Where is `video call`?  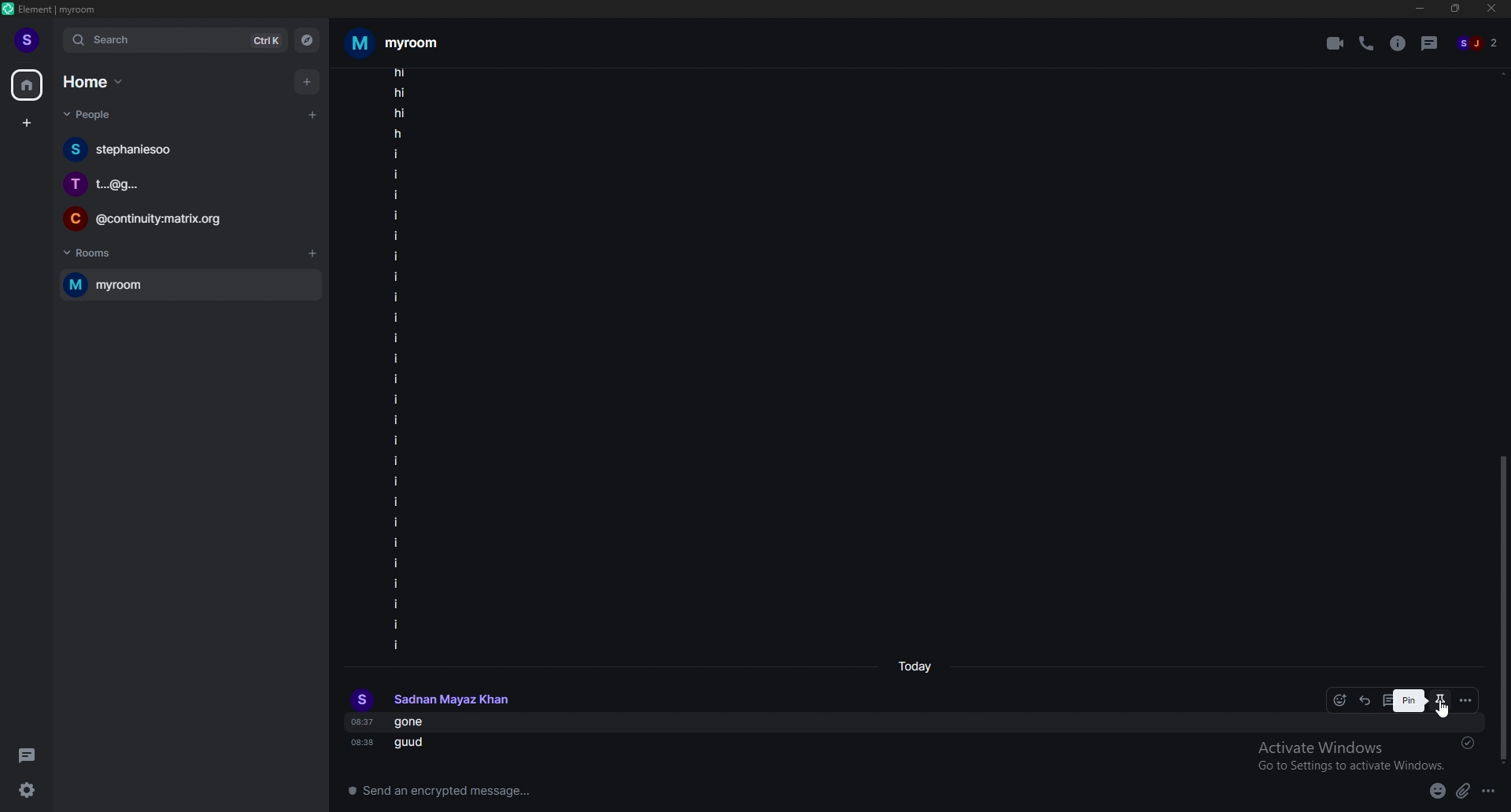 video call is located at coordinates (1336, 43).